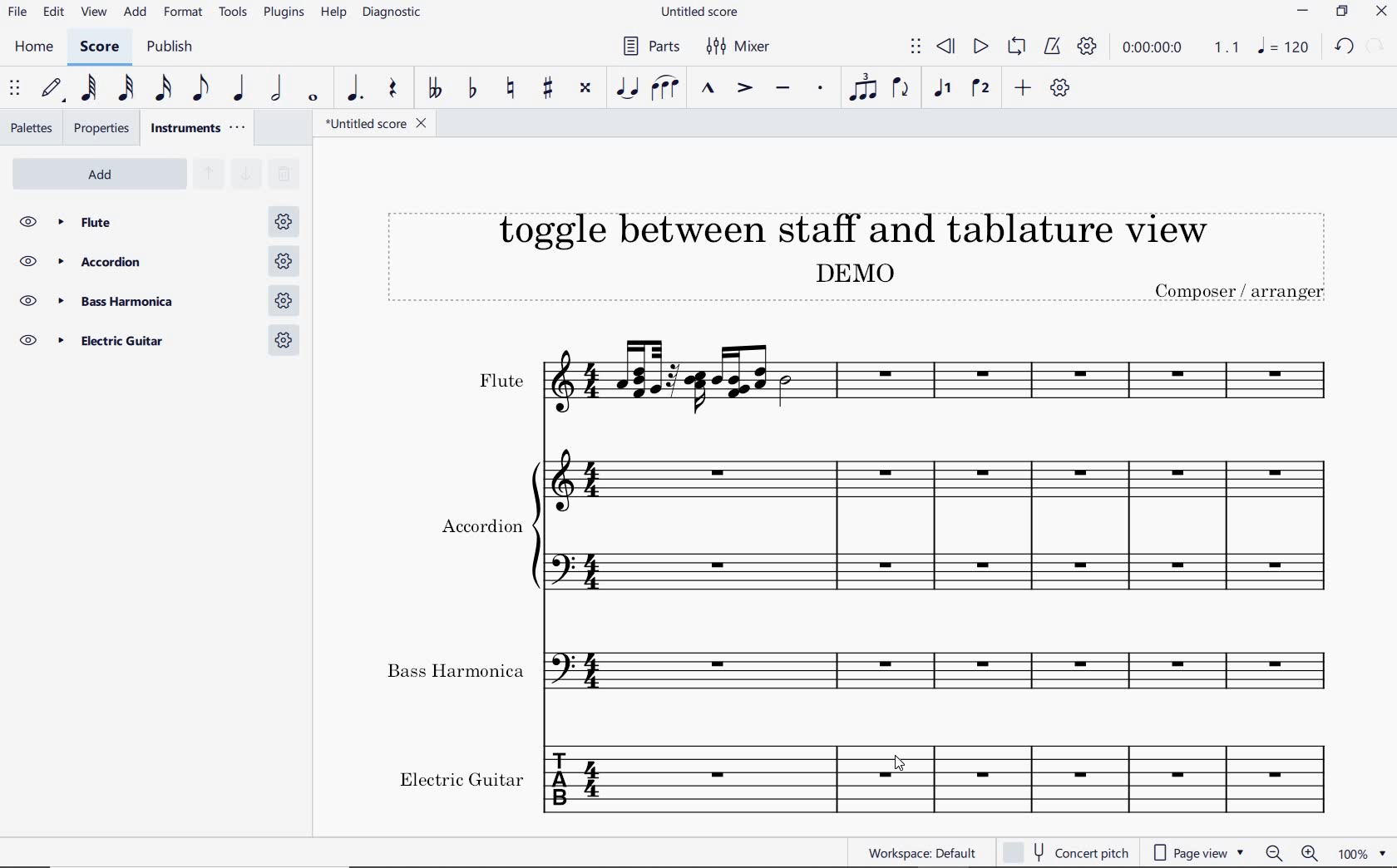 This screenshot has width=1397, height=868. What do you see at coordinates (945, 46) in the screenshot?
I see `rewind` at bounding box center [945, 46].